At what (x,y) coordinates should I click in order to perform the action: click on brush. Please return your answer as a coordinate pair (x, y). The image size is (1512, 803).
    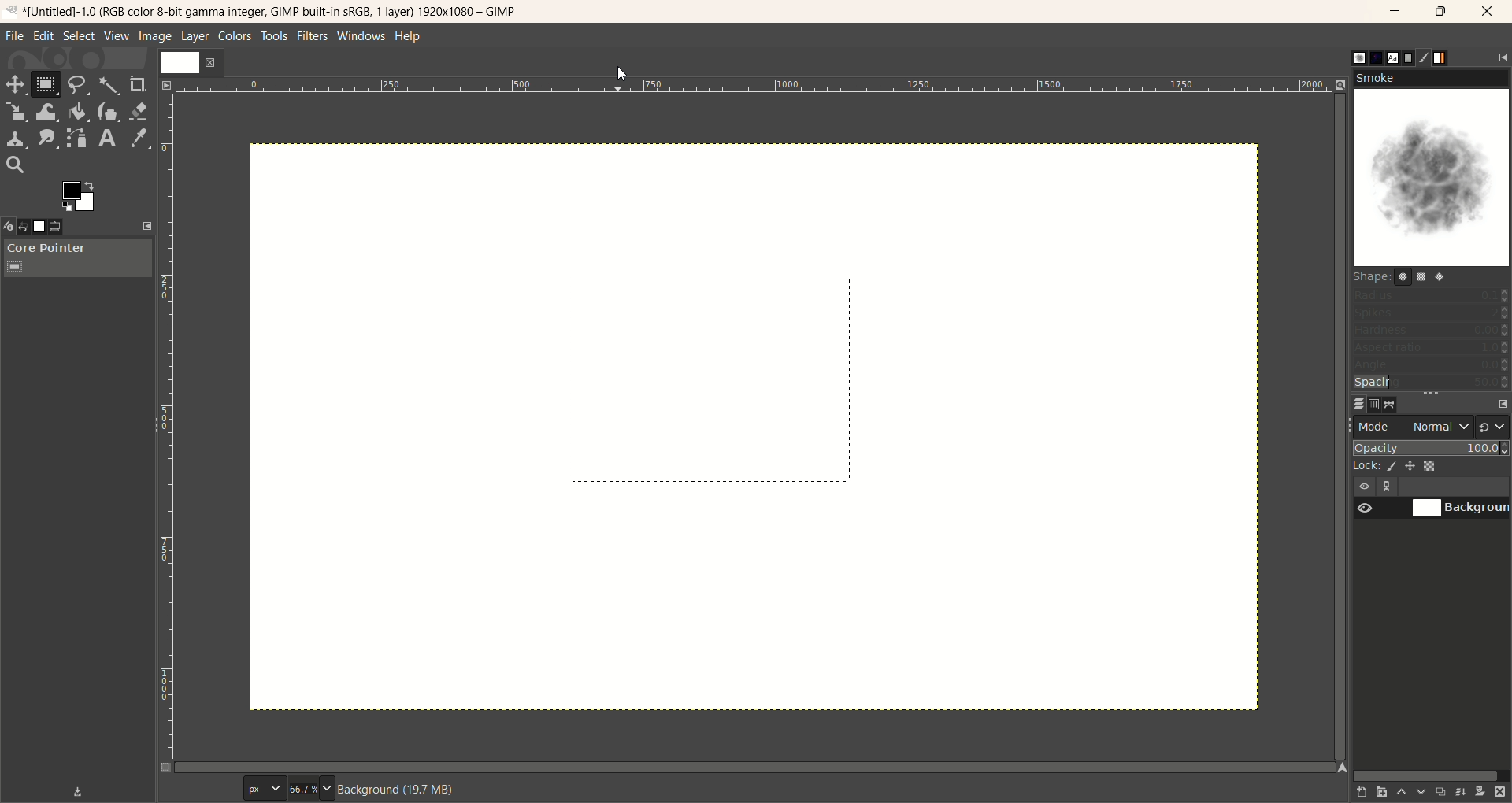
    Looking at the image, I should click on (1357, 58).